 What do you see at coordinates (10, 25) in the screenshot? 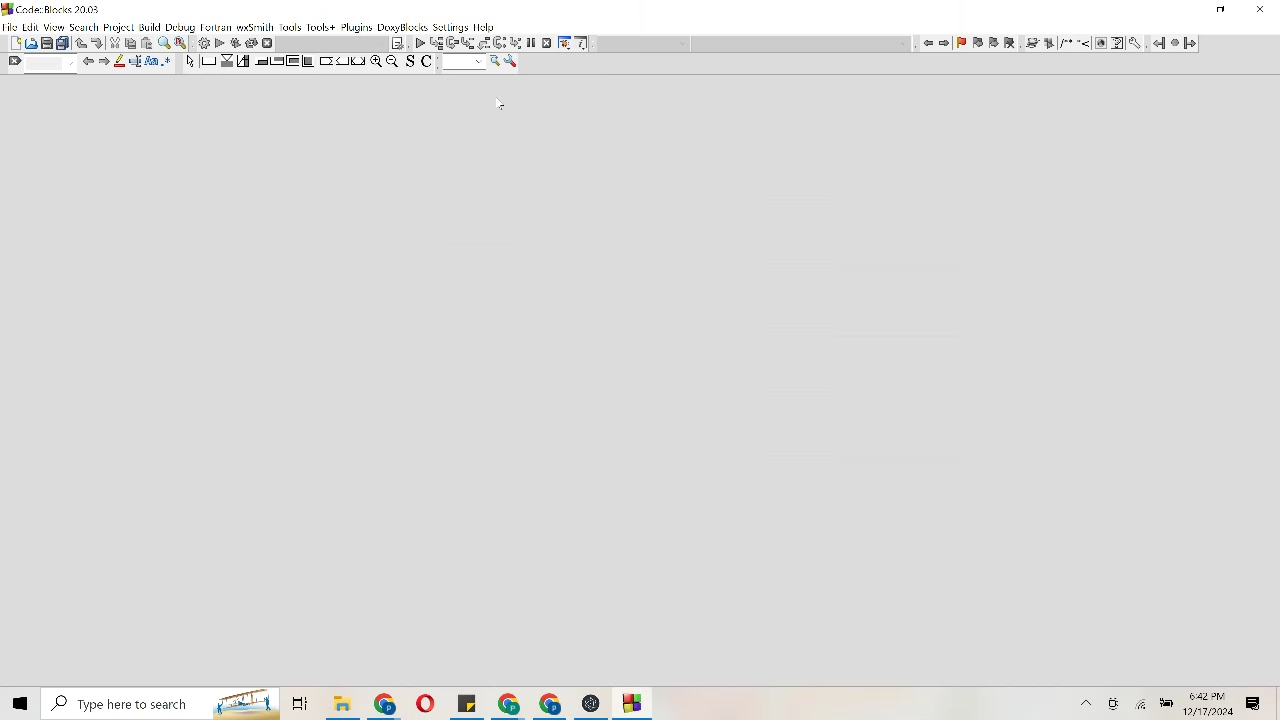
I see `File` at bounding box center [10, 25].